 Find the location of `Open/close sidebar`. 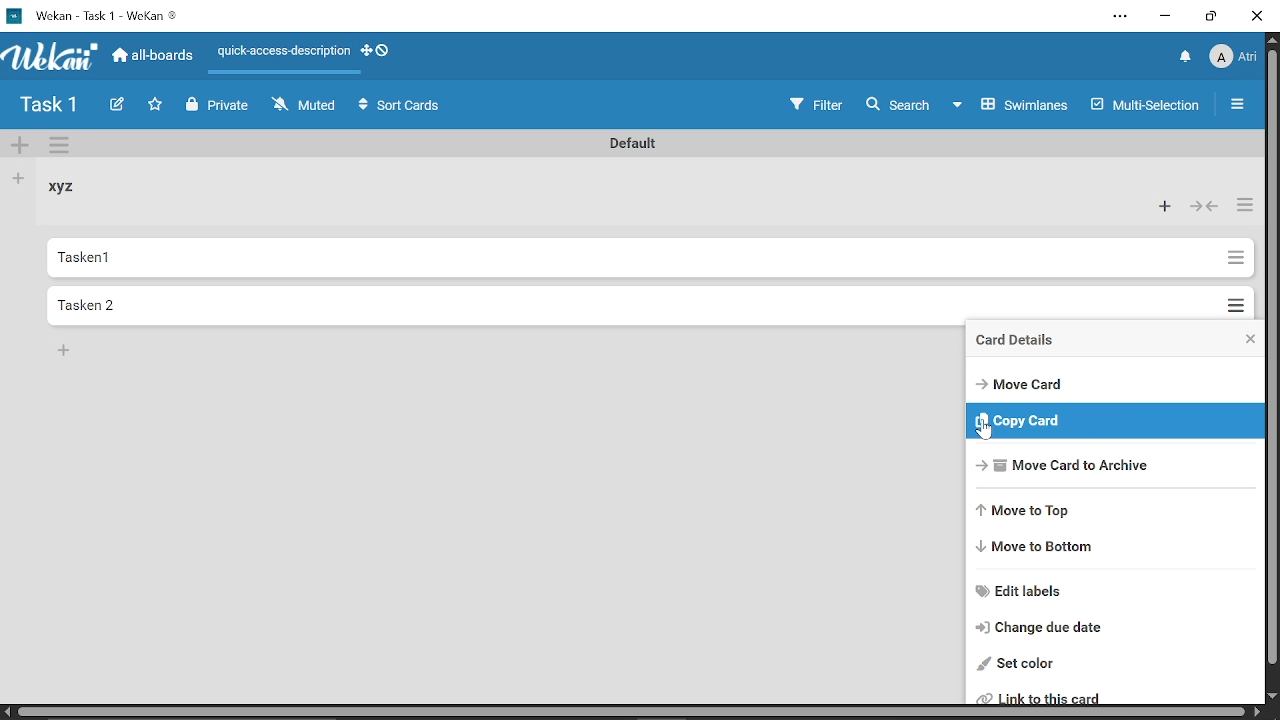

Open/close sidebar is located at coordinates (1240, 105).